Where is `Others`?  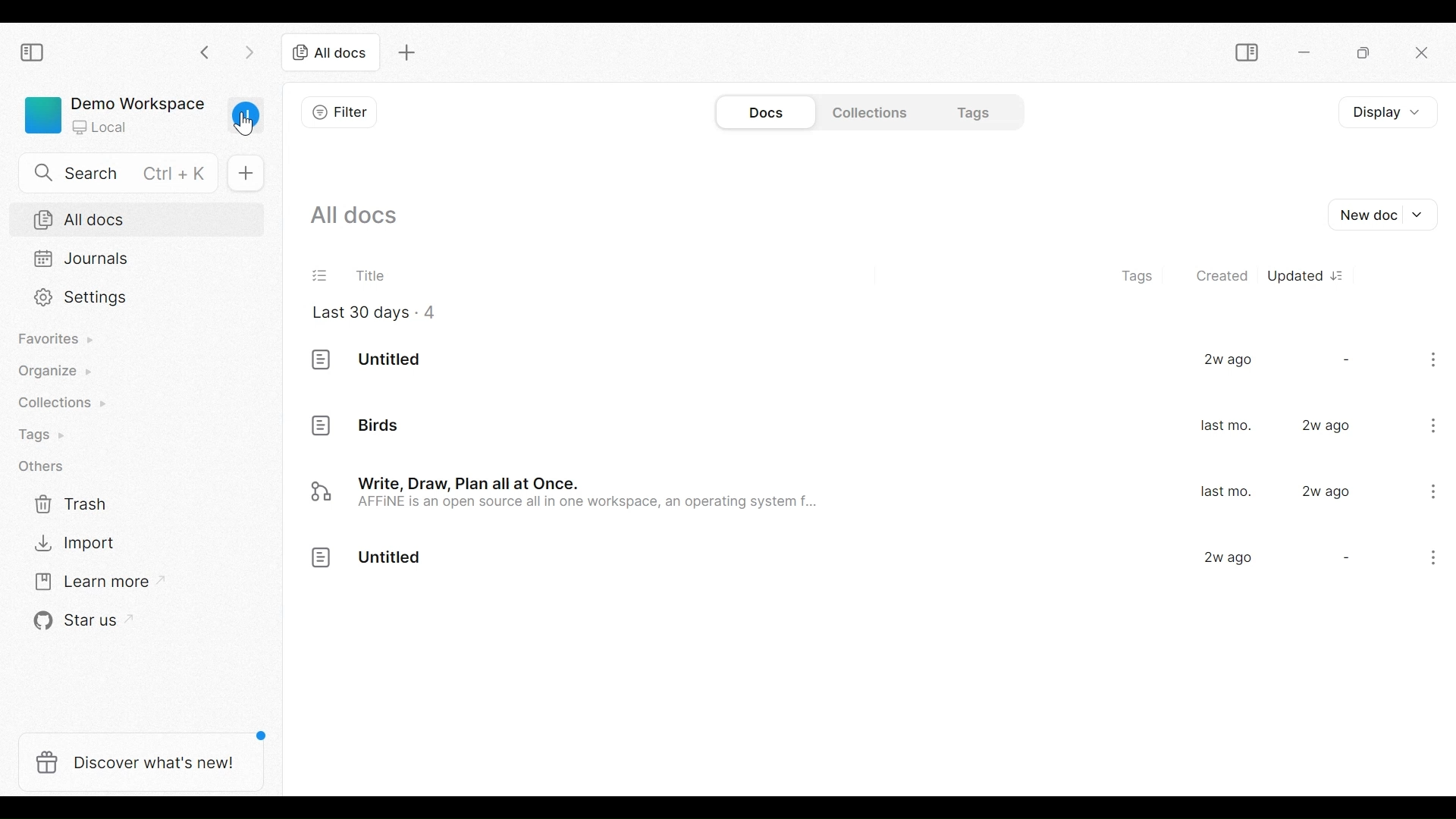 Others is located at coordinates (42, 468).